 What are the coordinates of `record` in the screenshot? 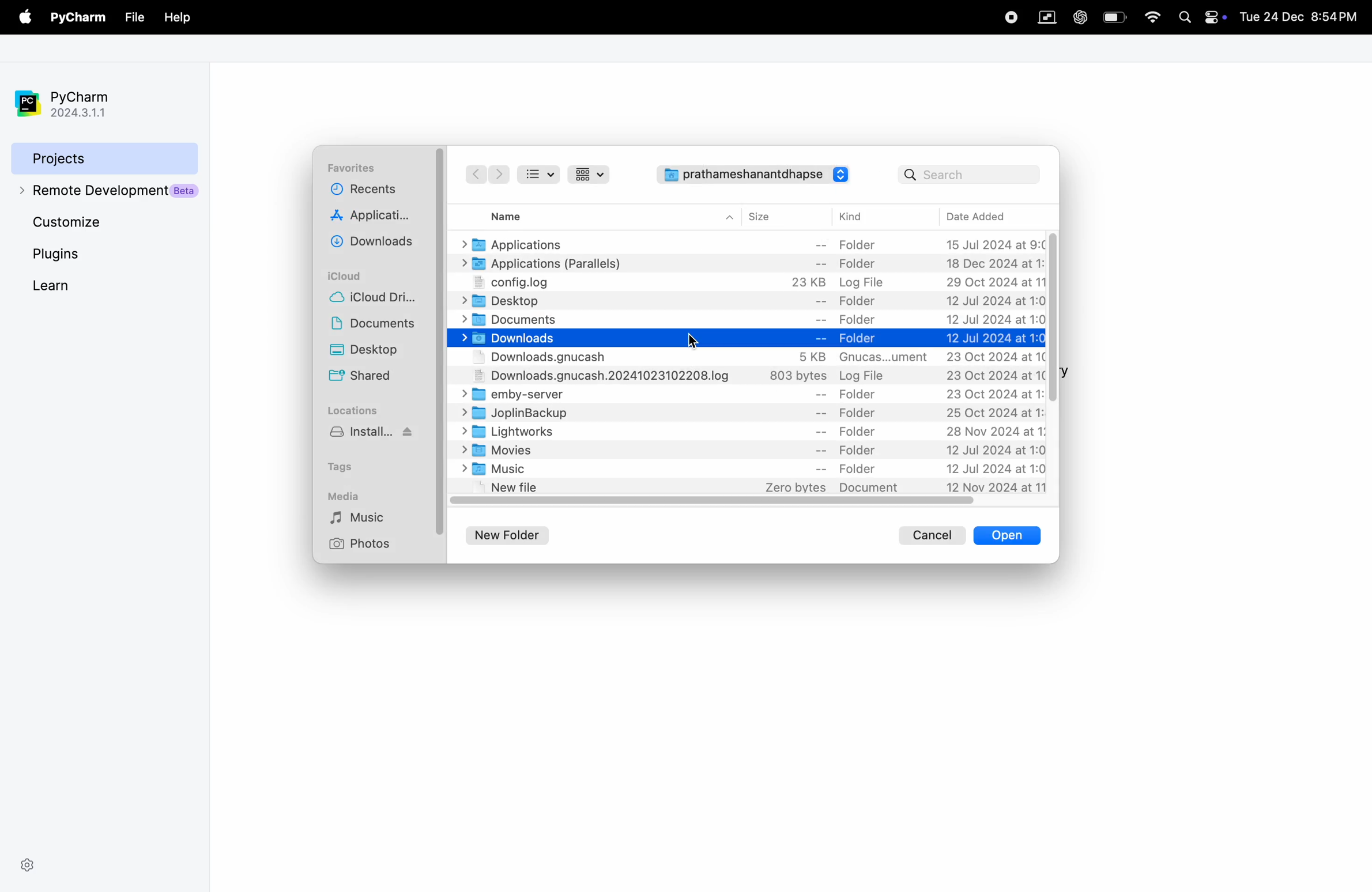 It's located at (1009, 16).